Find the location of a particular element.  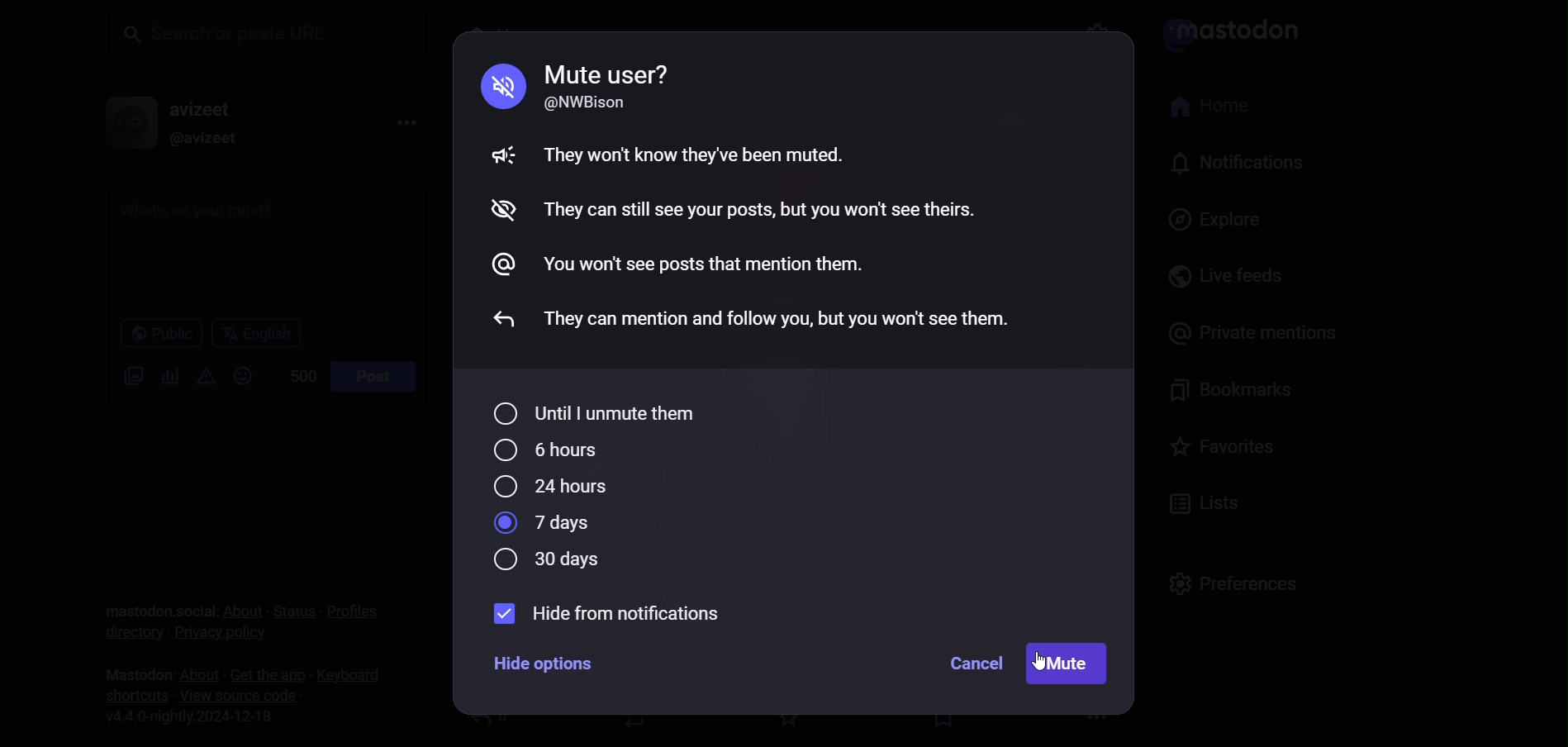

cursor is located at coordinates (1042, 662).